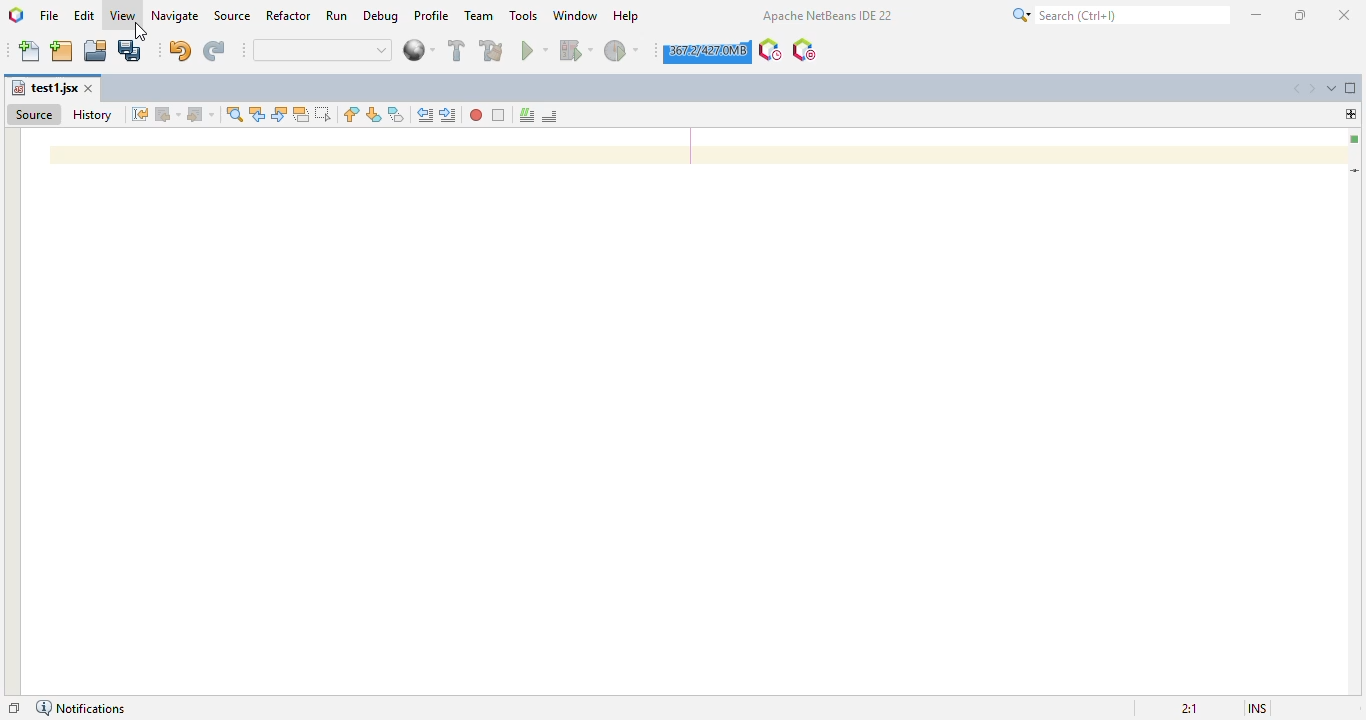 The image size is (1366, 720). I want to click on back, so click(167, 114).